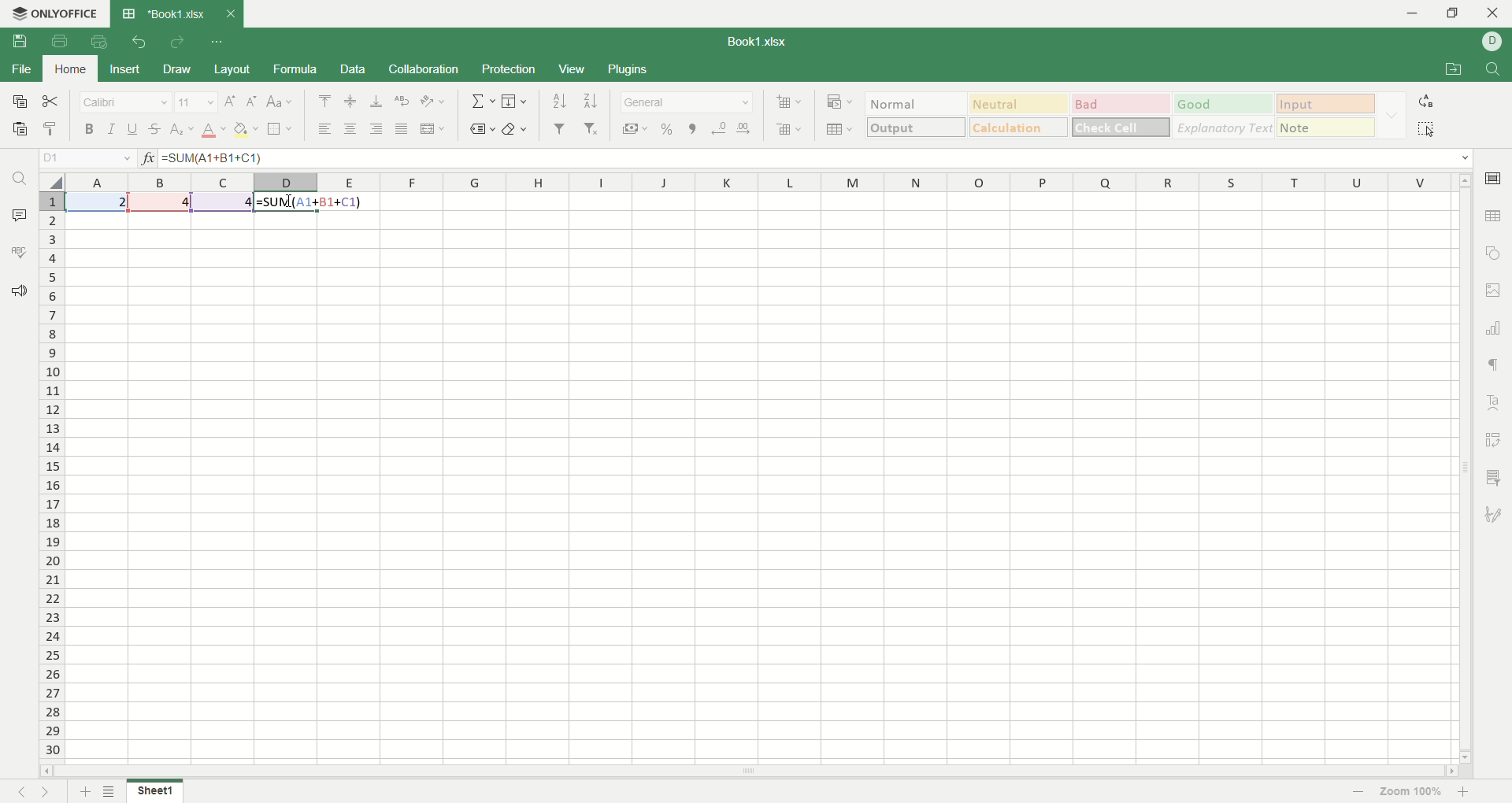 The image size is (1512, 803). What do you see at coordinates (46, 792) in the screenshot?
I see `next sheet` at bounding box center [46, 792].